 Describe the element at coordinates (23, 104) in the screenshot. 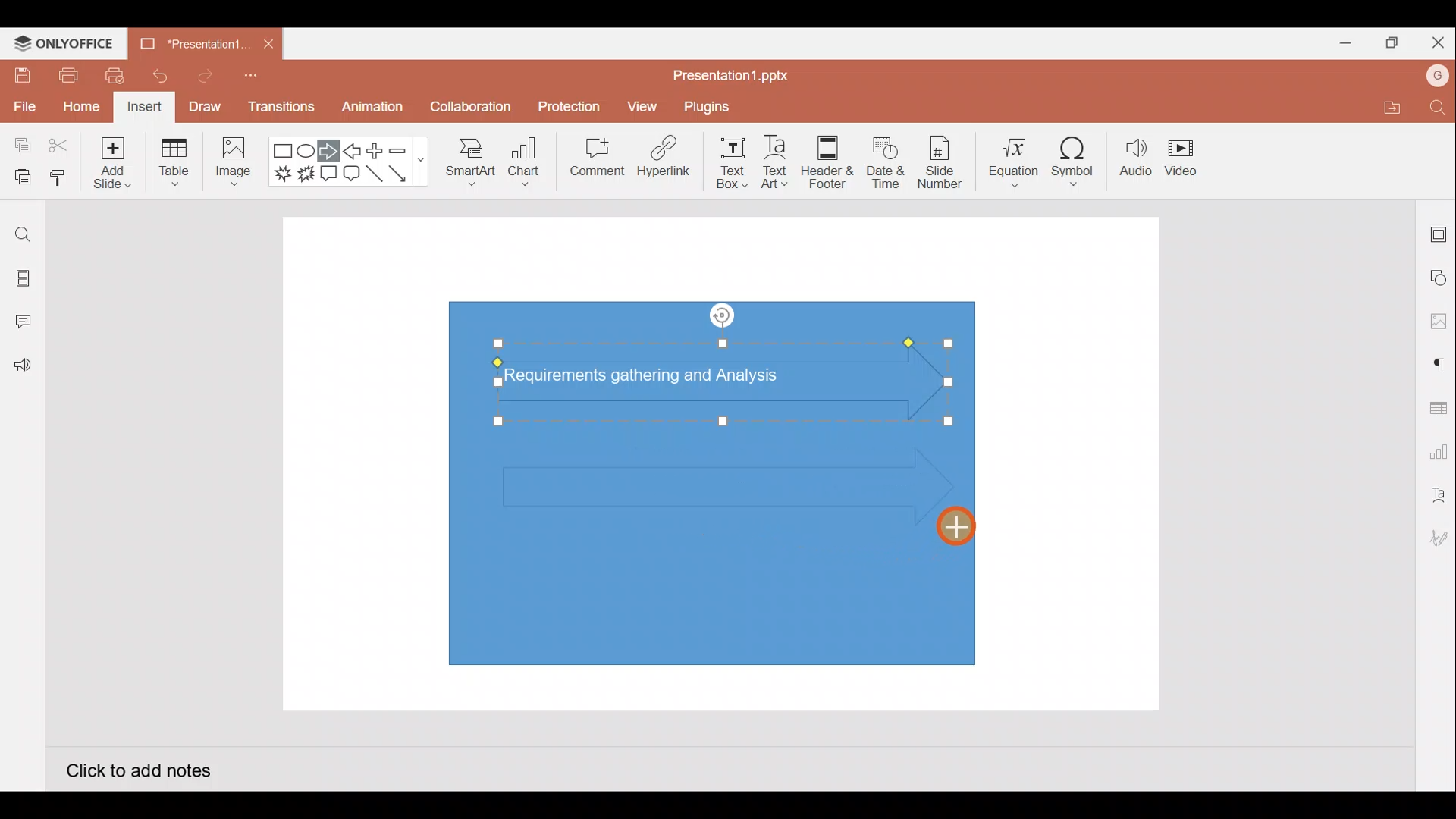

I see `File` at that location.